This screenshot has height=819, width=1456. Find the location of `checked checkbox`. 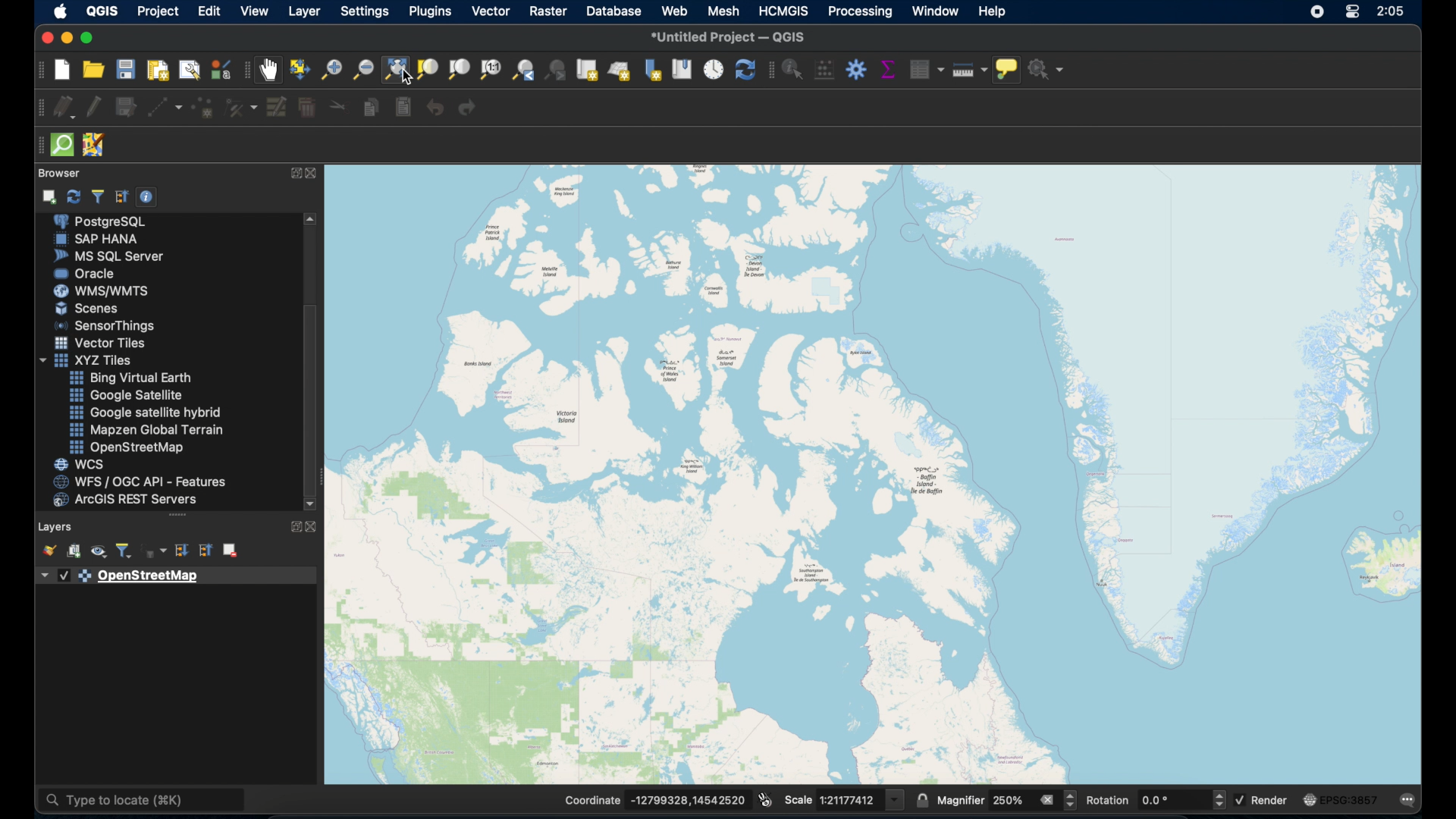

checked checkbox is located at coordinates (1241, 800).